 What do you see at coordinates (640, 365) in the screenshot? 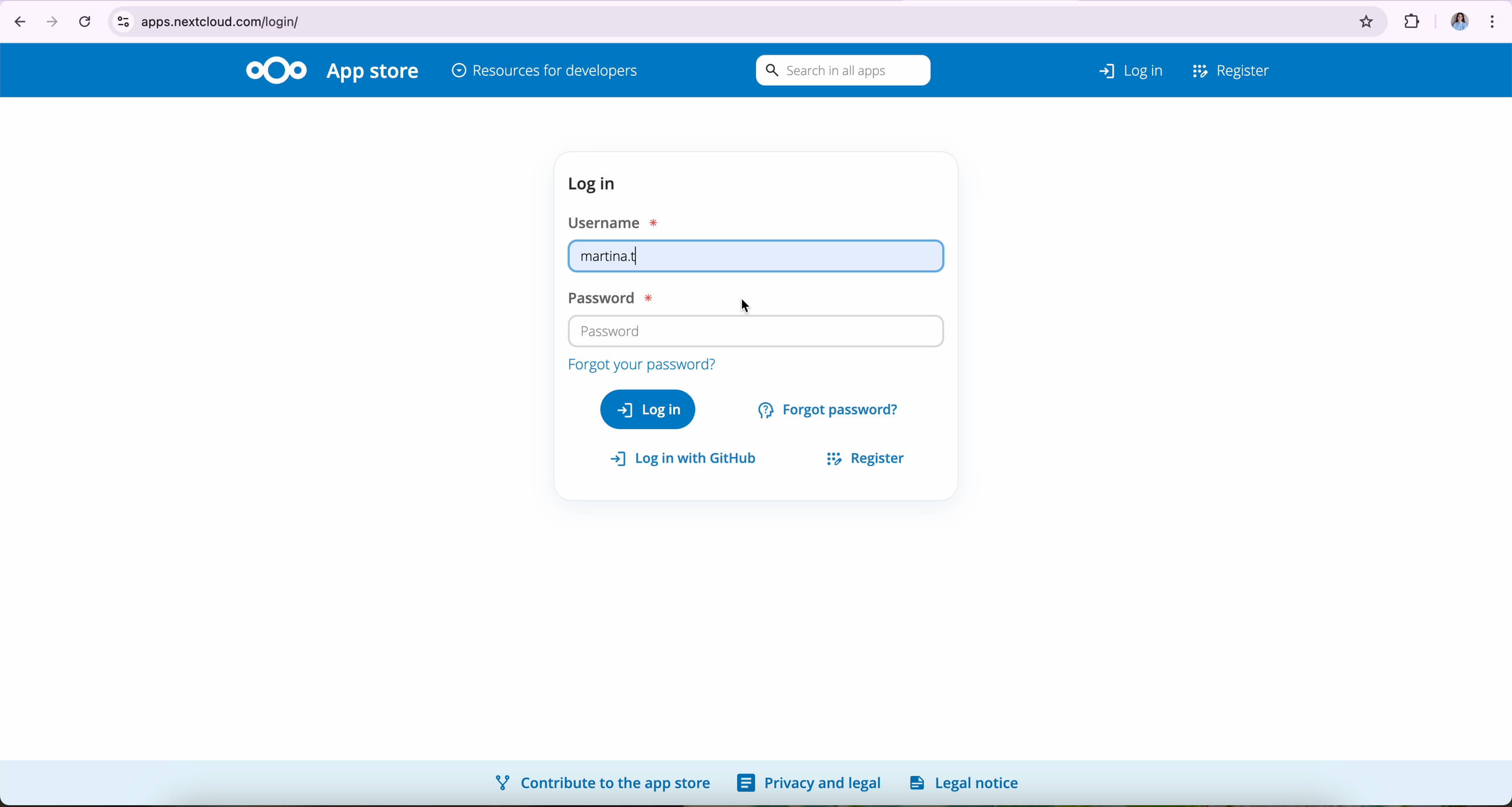
I see `forgot your password` at bounding box center [640, 365].